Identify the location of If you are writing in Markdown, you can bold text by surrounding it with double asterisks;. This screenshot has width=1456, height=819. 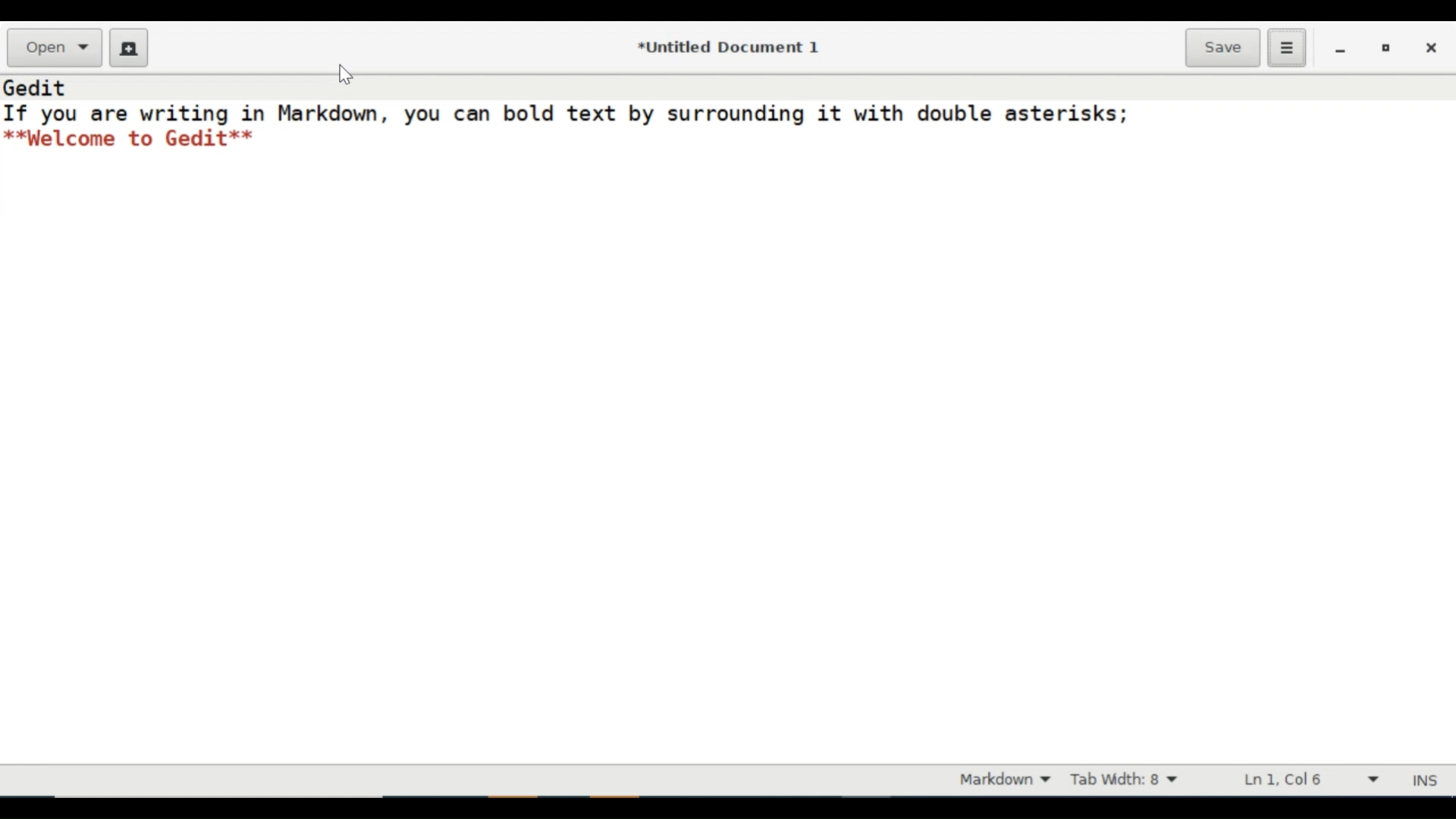
(566, 113).